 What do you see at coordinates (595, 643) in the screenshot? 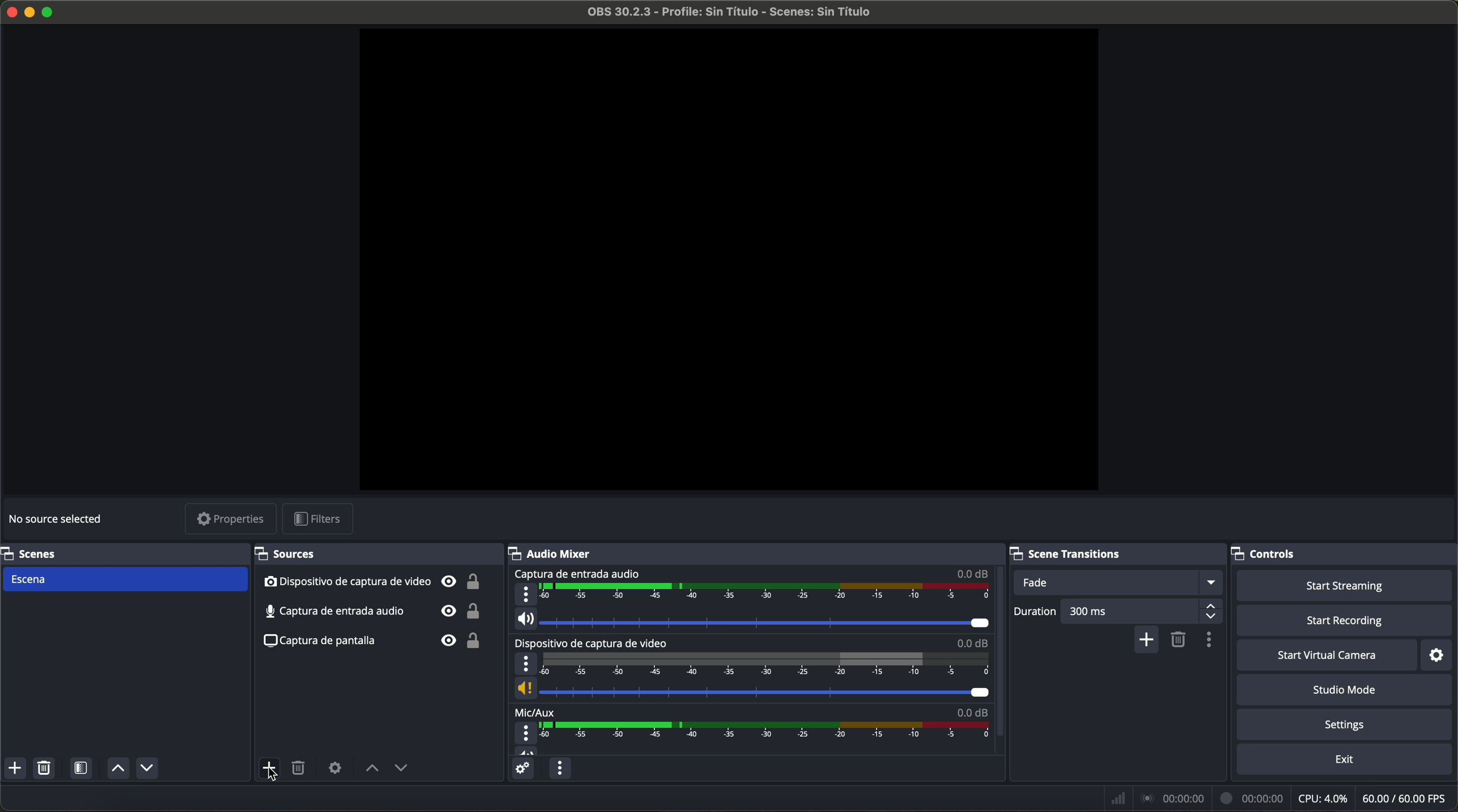
I see `video capture device` at bounding box center [595, 643].